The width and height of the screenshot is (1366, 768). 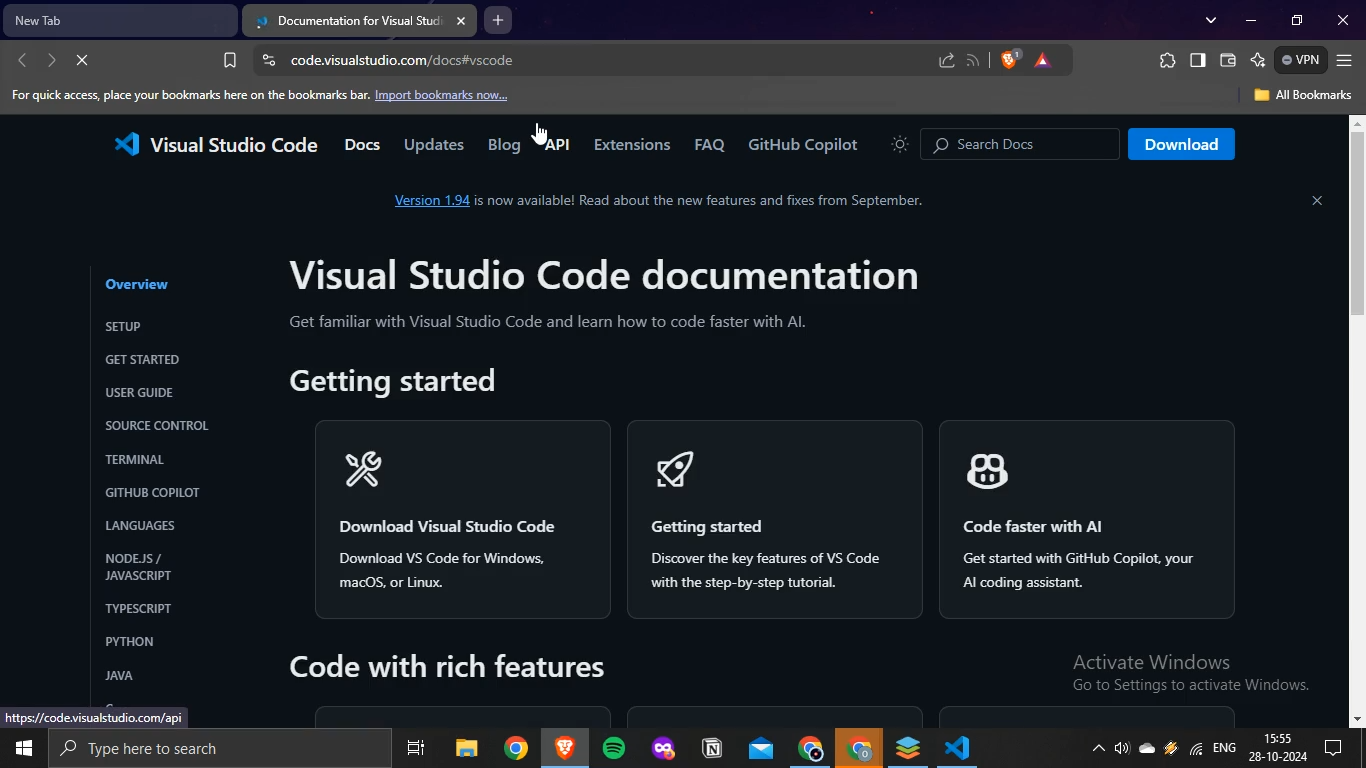 What do you see at coordinates (21, 58) in the screenshot?
I see `go back one page` at bounding box center [21, 58].